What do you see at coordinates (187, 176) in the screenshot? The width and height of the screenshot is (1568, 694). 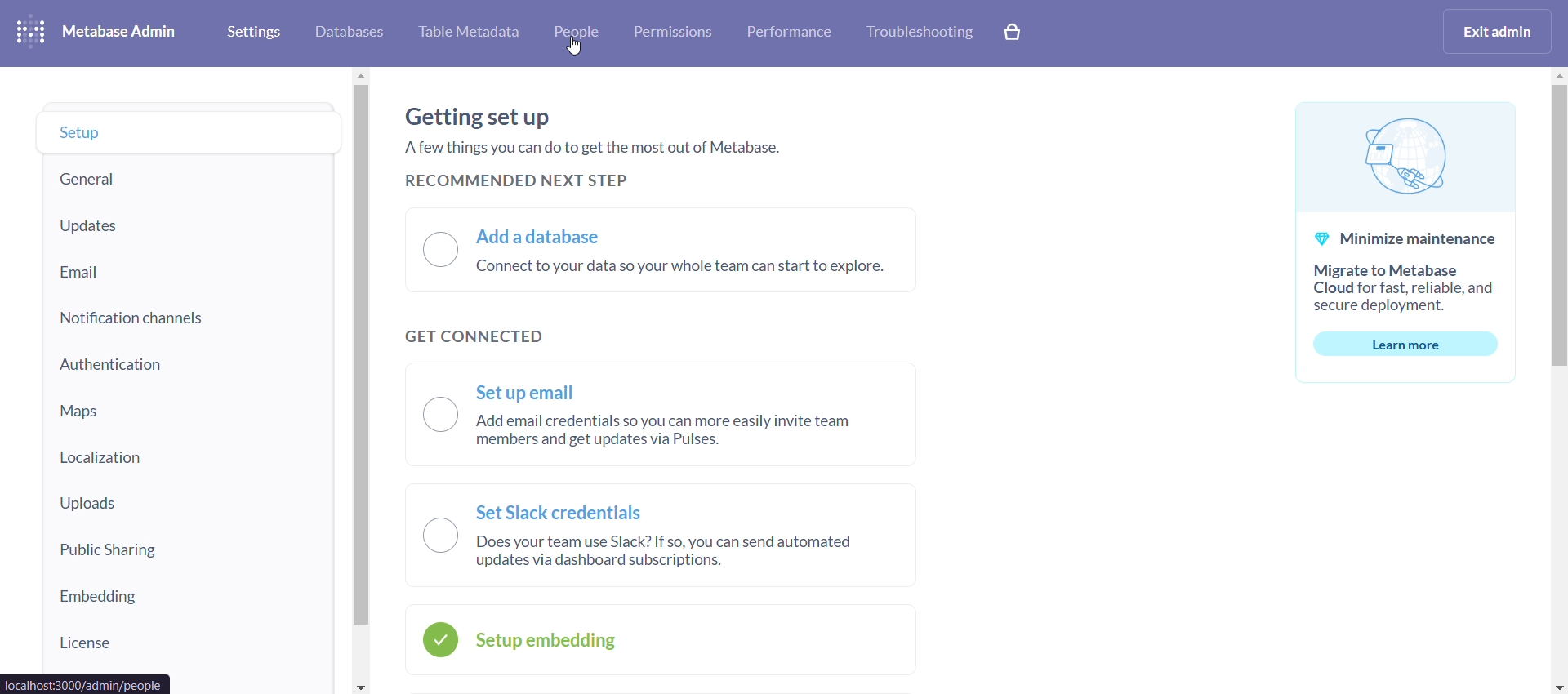 I see `general` at bounding box center [187, 176].